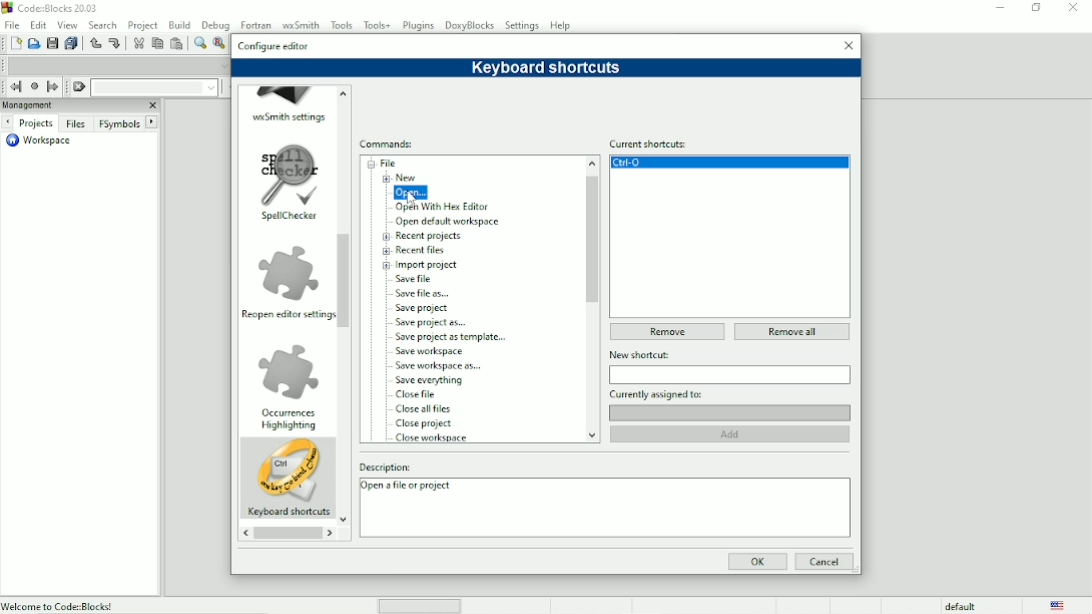 This screenshot has width=1092, height=614. What do you see at coordinates (423, 293) in the screenshot?
I see `Save file as` at bounding box center [423, 293].